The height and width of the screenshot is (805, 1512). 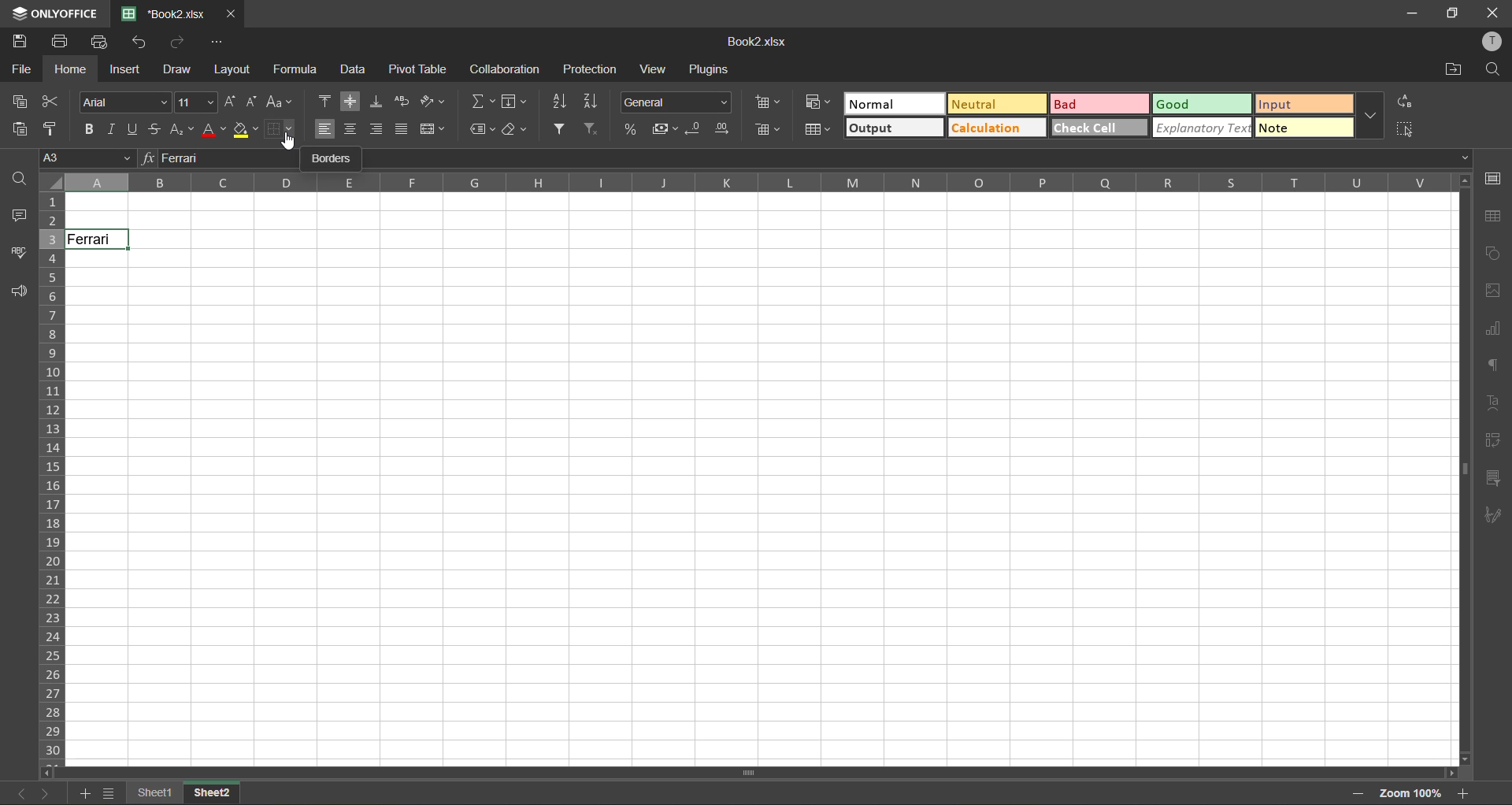 I want to click on decrease decimal, so click(x=691, y=128).